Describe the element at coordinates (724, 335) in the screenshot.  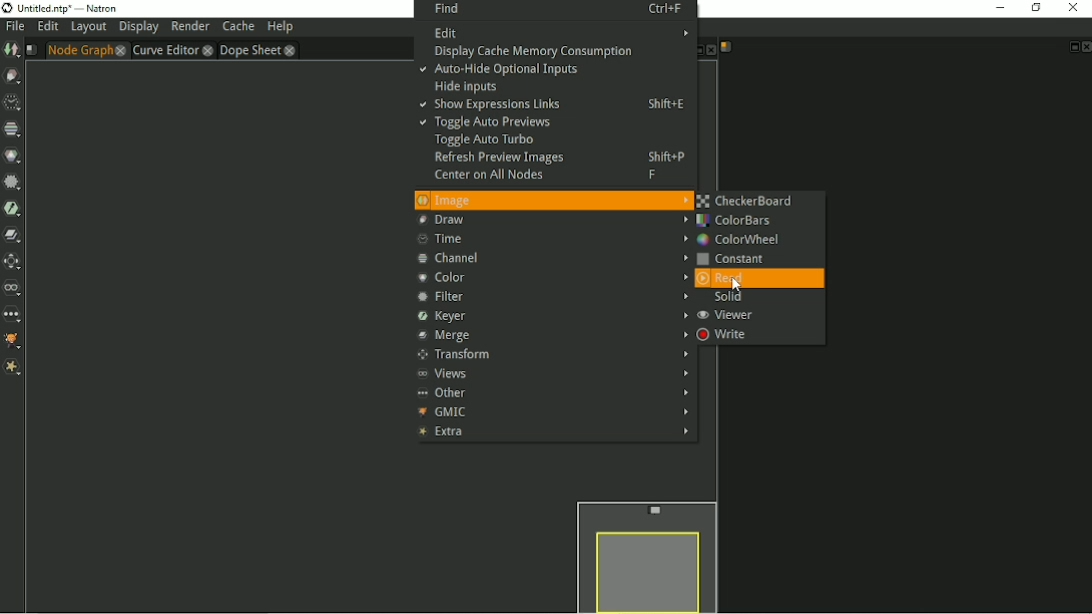
I see `Write` at that location.